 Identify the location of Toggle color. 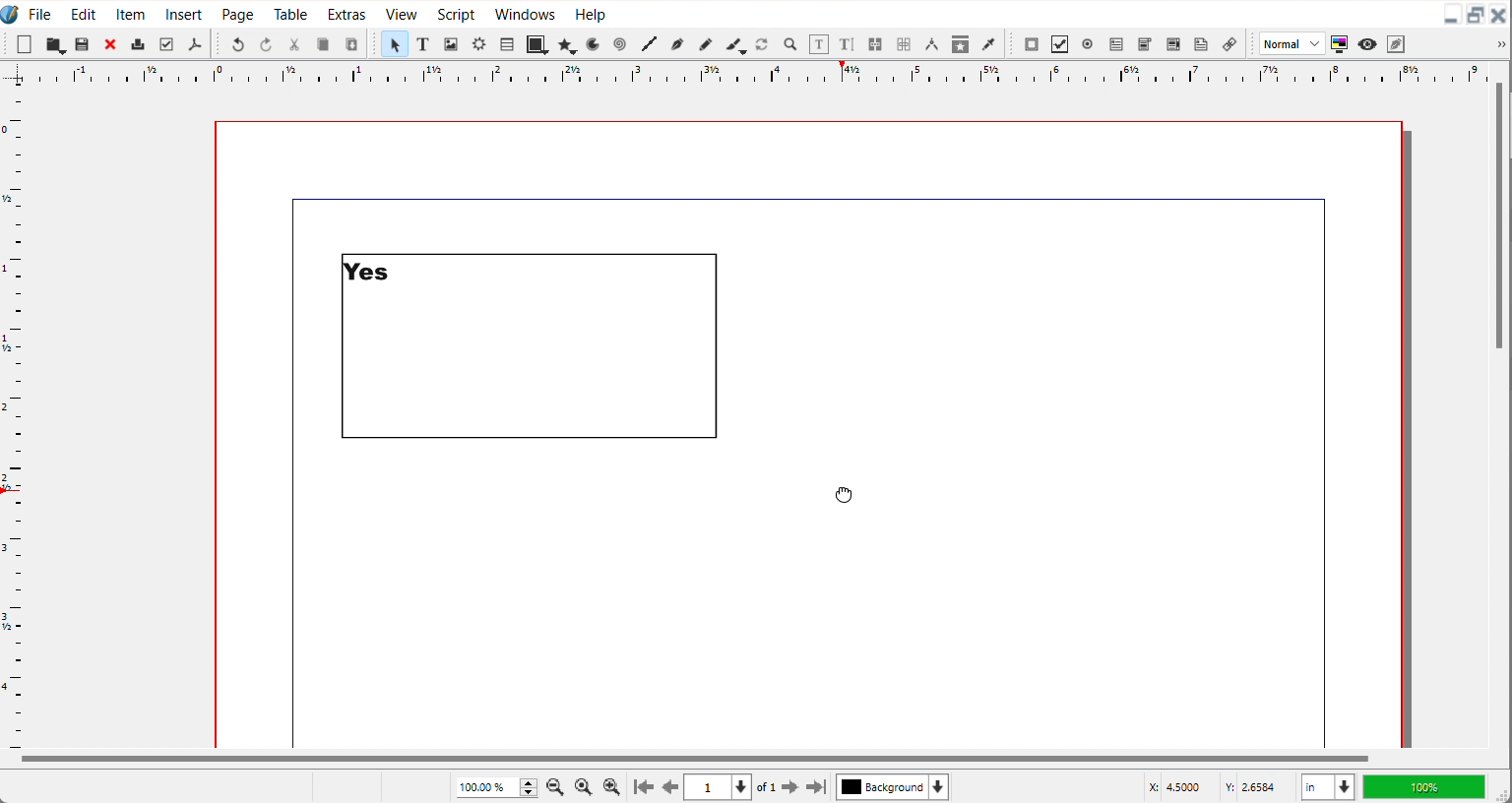
(1341, 44).